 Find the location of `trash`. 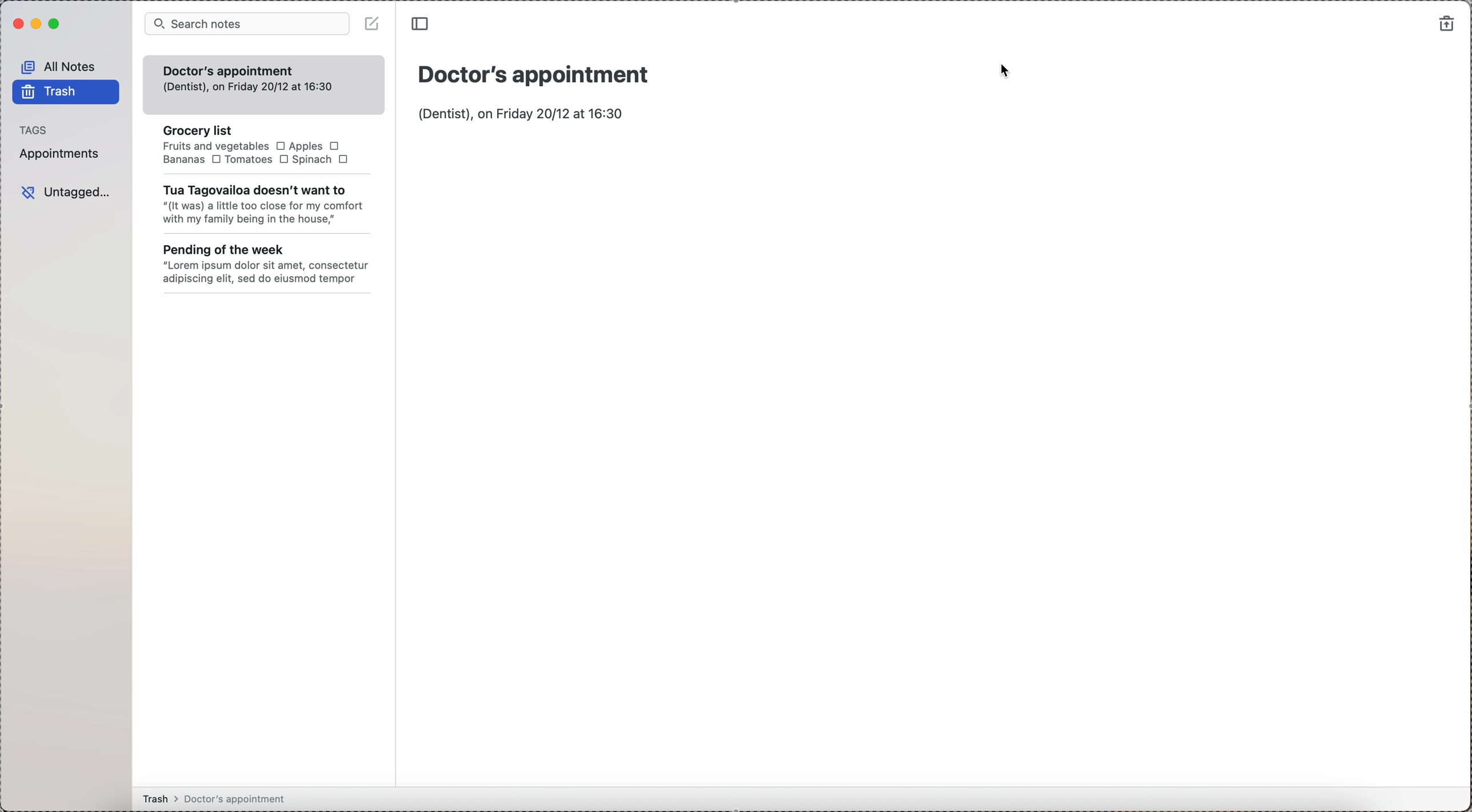

trash is located at coordinates (66, 91).